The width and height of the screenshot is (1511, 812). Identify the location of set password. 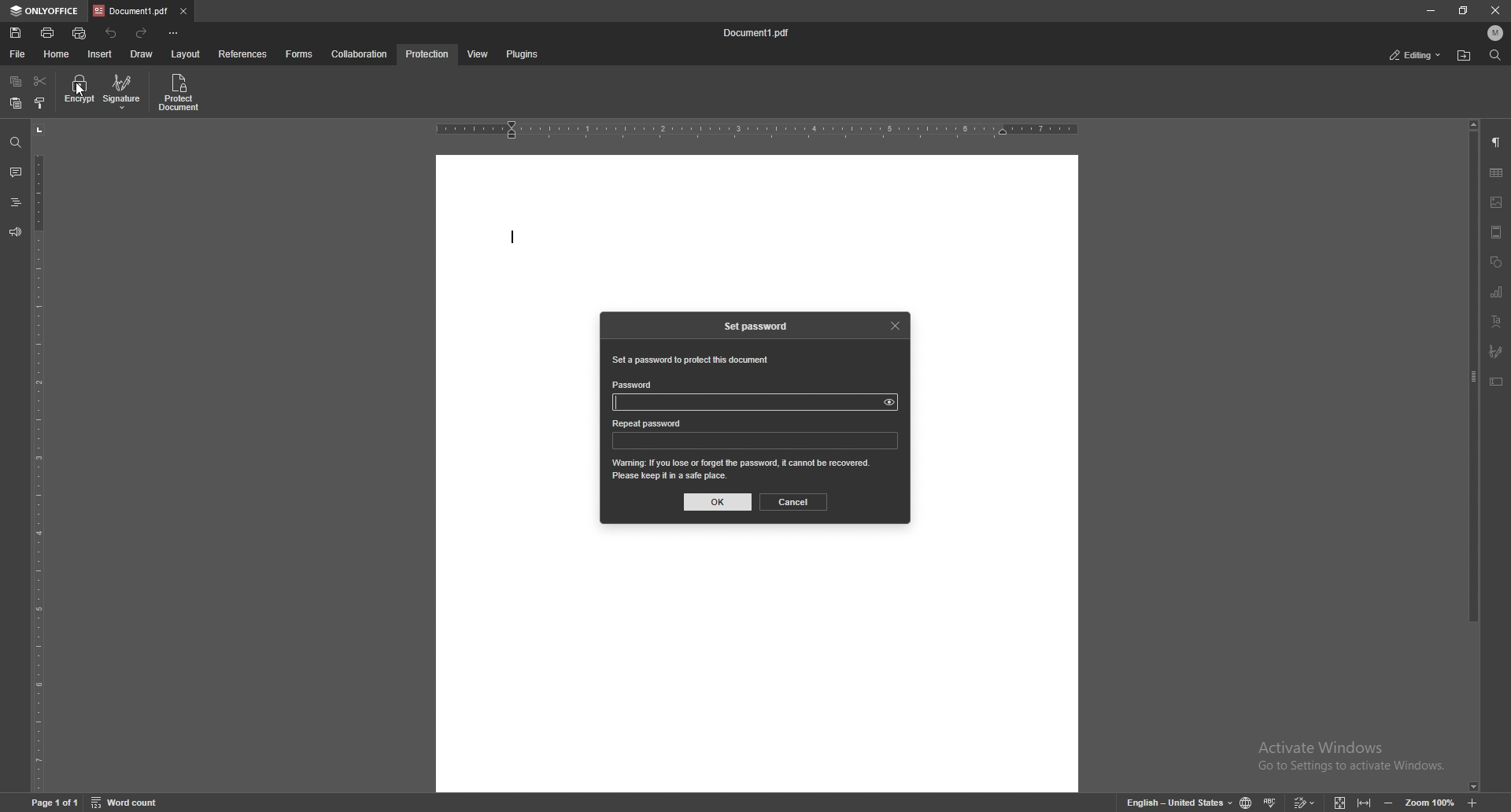
(756, 325).